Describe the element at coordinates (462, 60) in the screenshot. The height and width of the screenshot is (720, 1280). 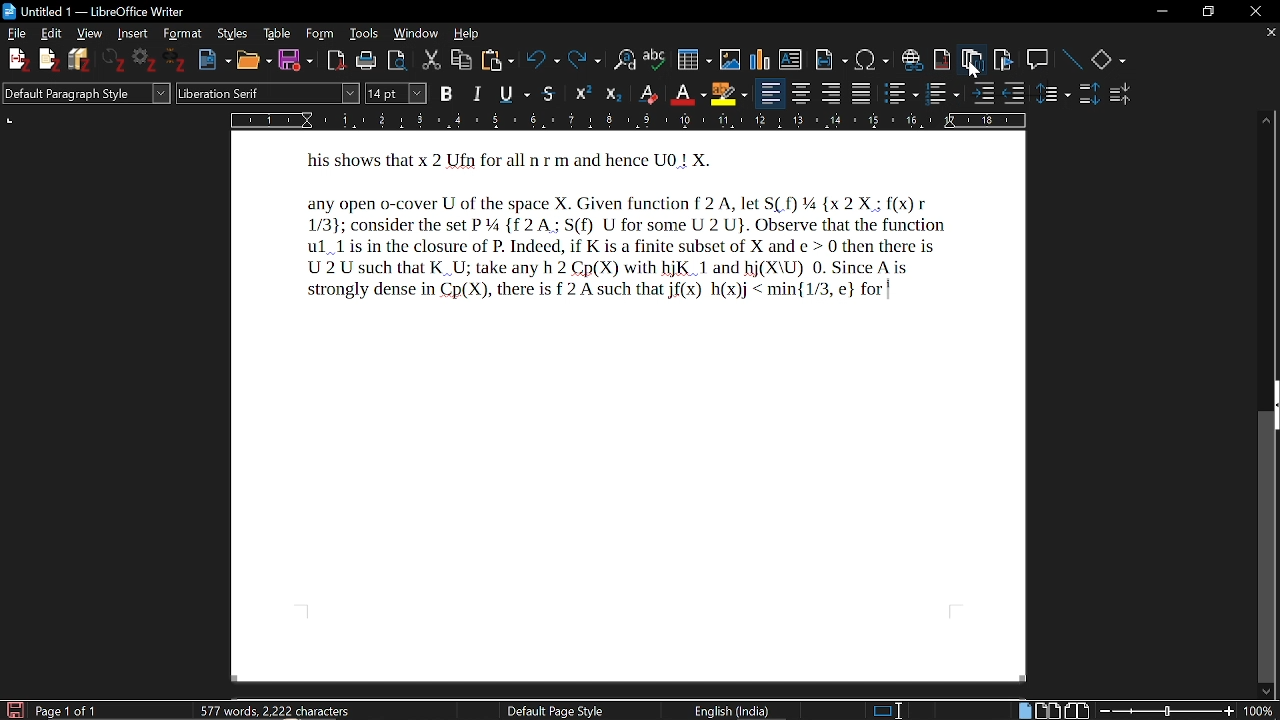
I see `Copy` at that location.